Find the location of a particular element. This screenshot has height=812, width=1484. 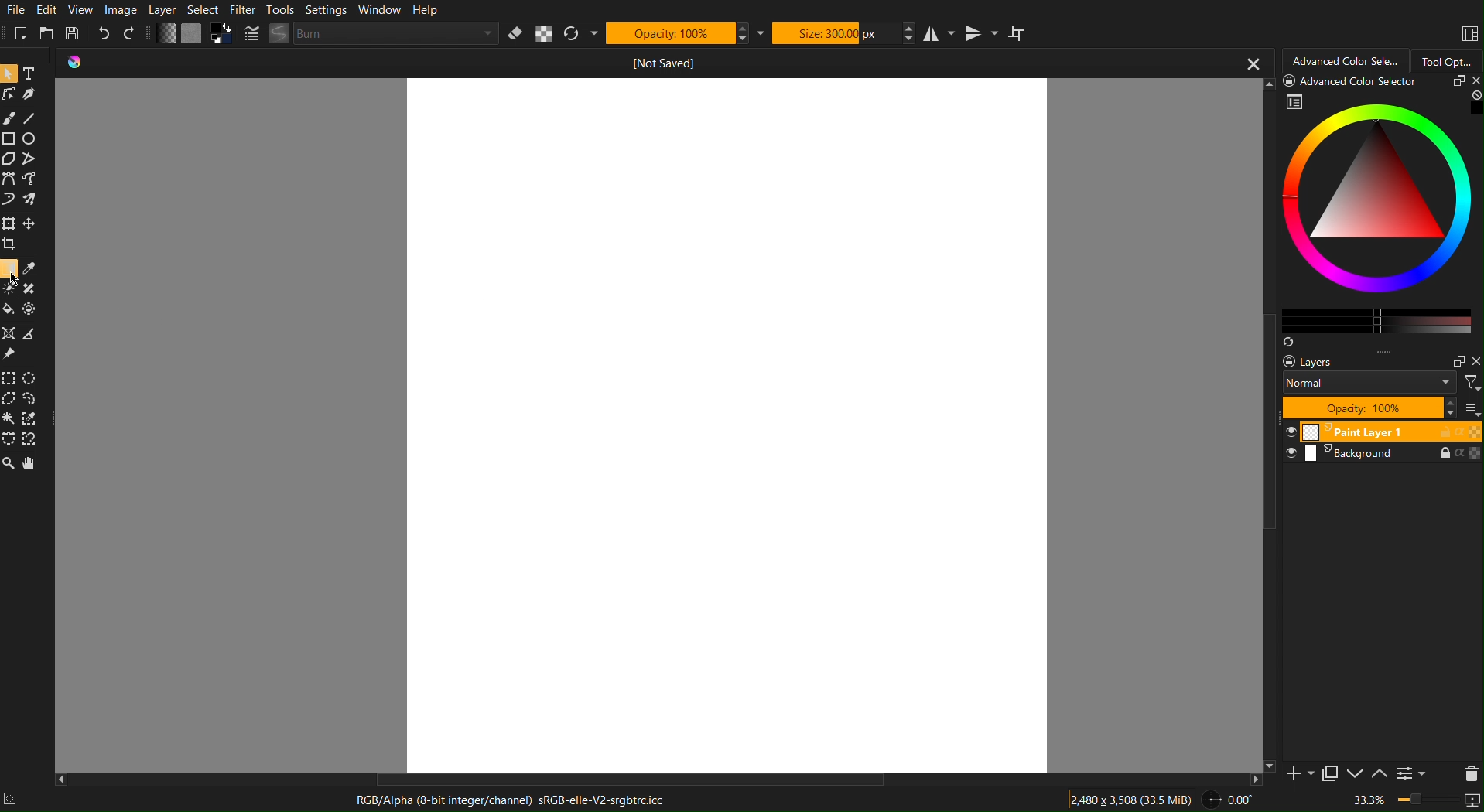

Copy is located at coordinates (1330, 776).